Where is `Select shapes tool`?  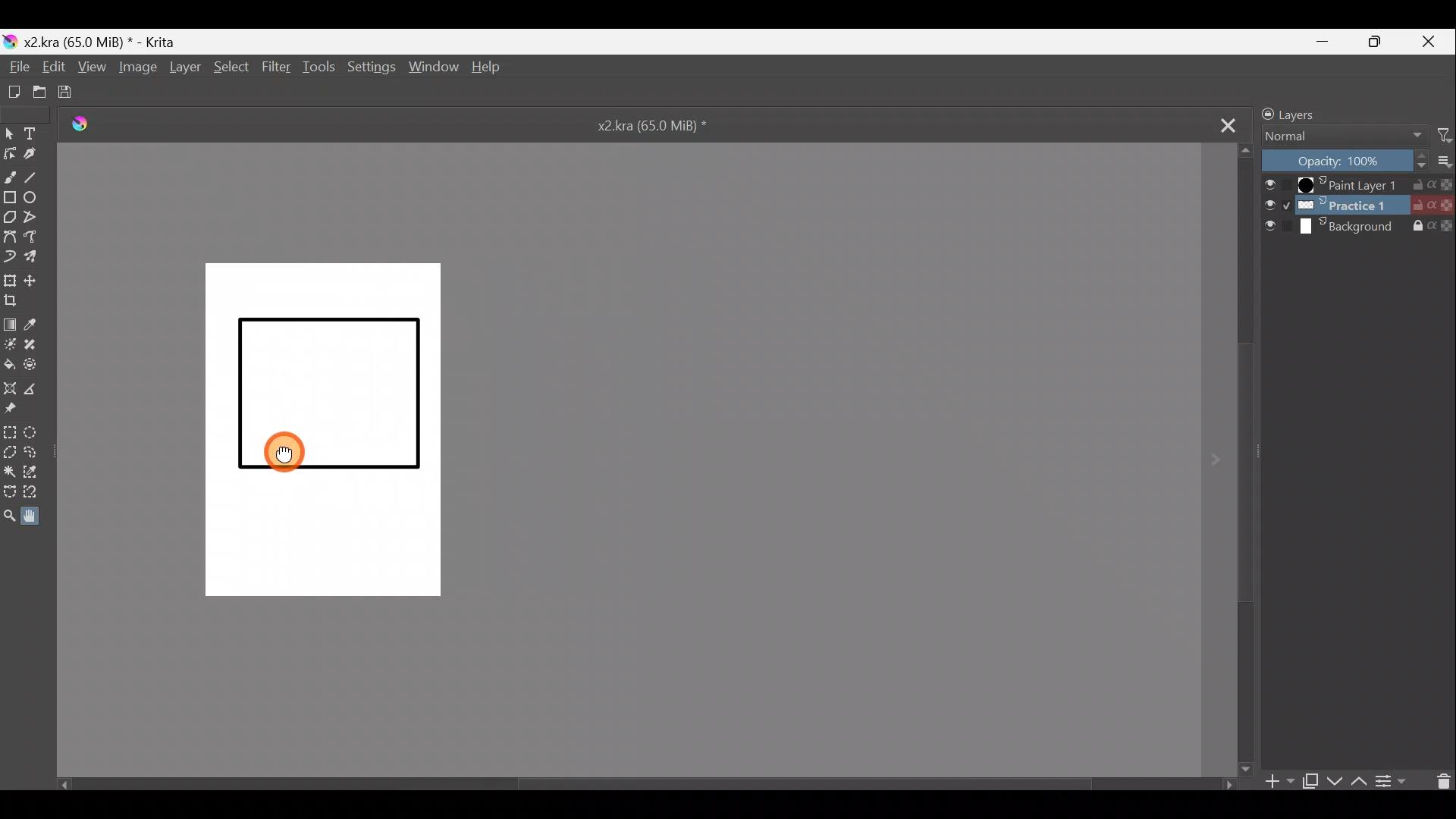 Select shapes tool is located at coordinates (9, 134).